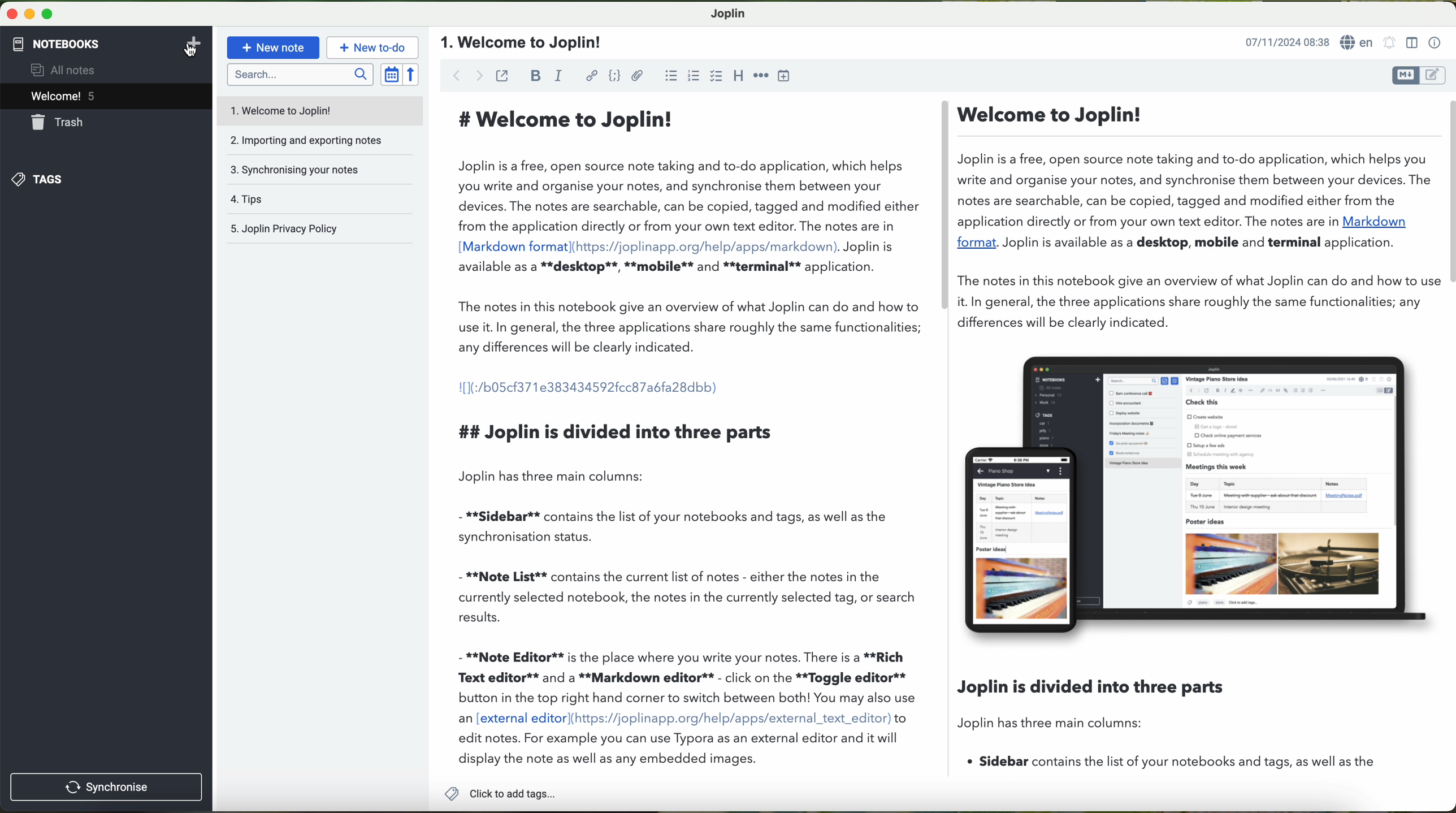 The height and width of the screenshot is (813, 1456). What do you see at coordinates (192, 42) in the screenshot?
I see `add notebooks` at bounding box center [192, 42].